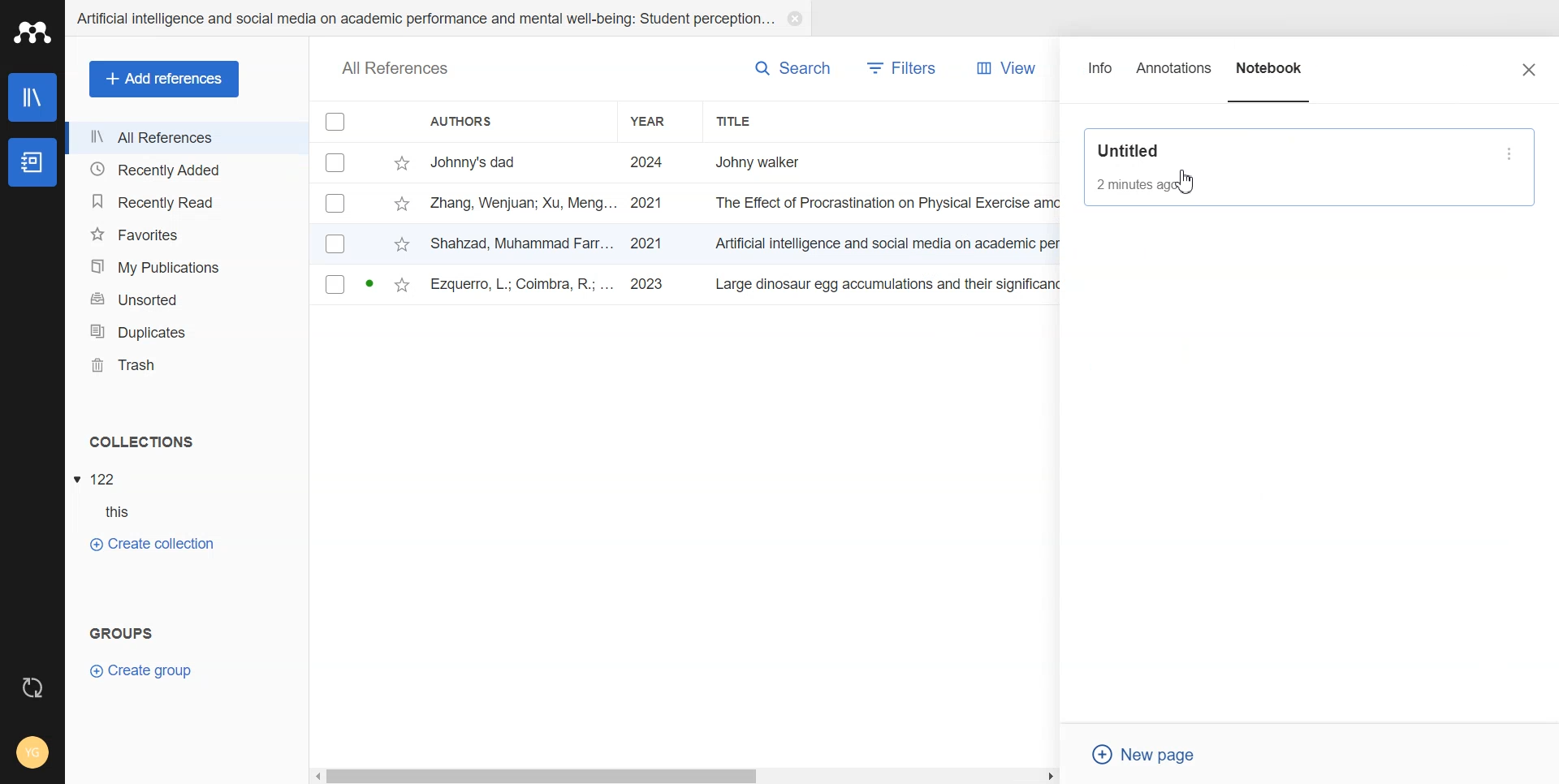  What do you see at coordinates (187, 138) in the screenshot?
I see `All References` at bounding box center [187, 138].